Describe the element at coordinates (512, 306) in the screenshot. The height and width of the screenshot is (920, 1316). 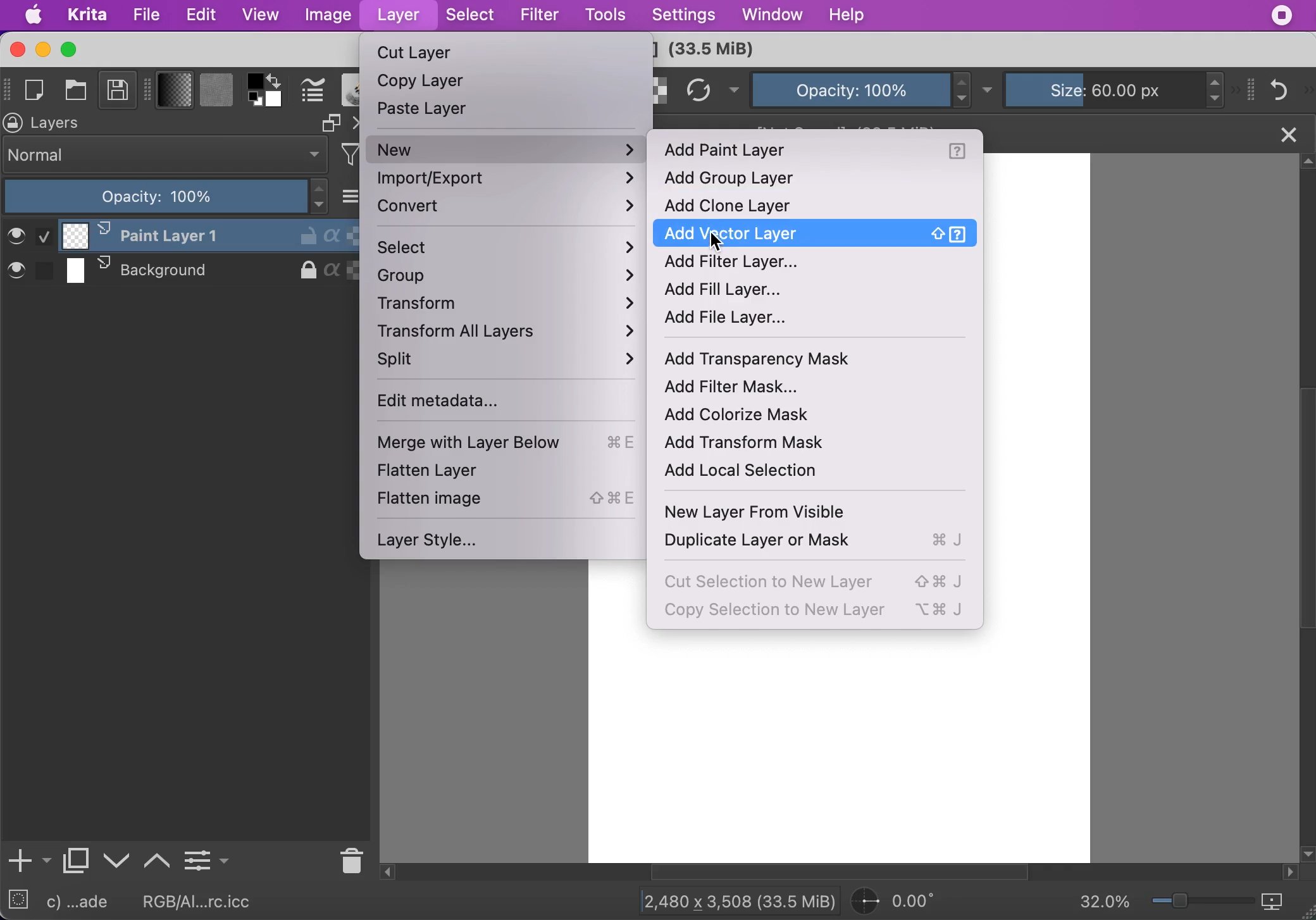
I see `transform` at that location.